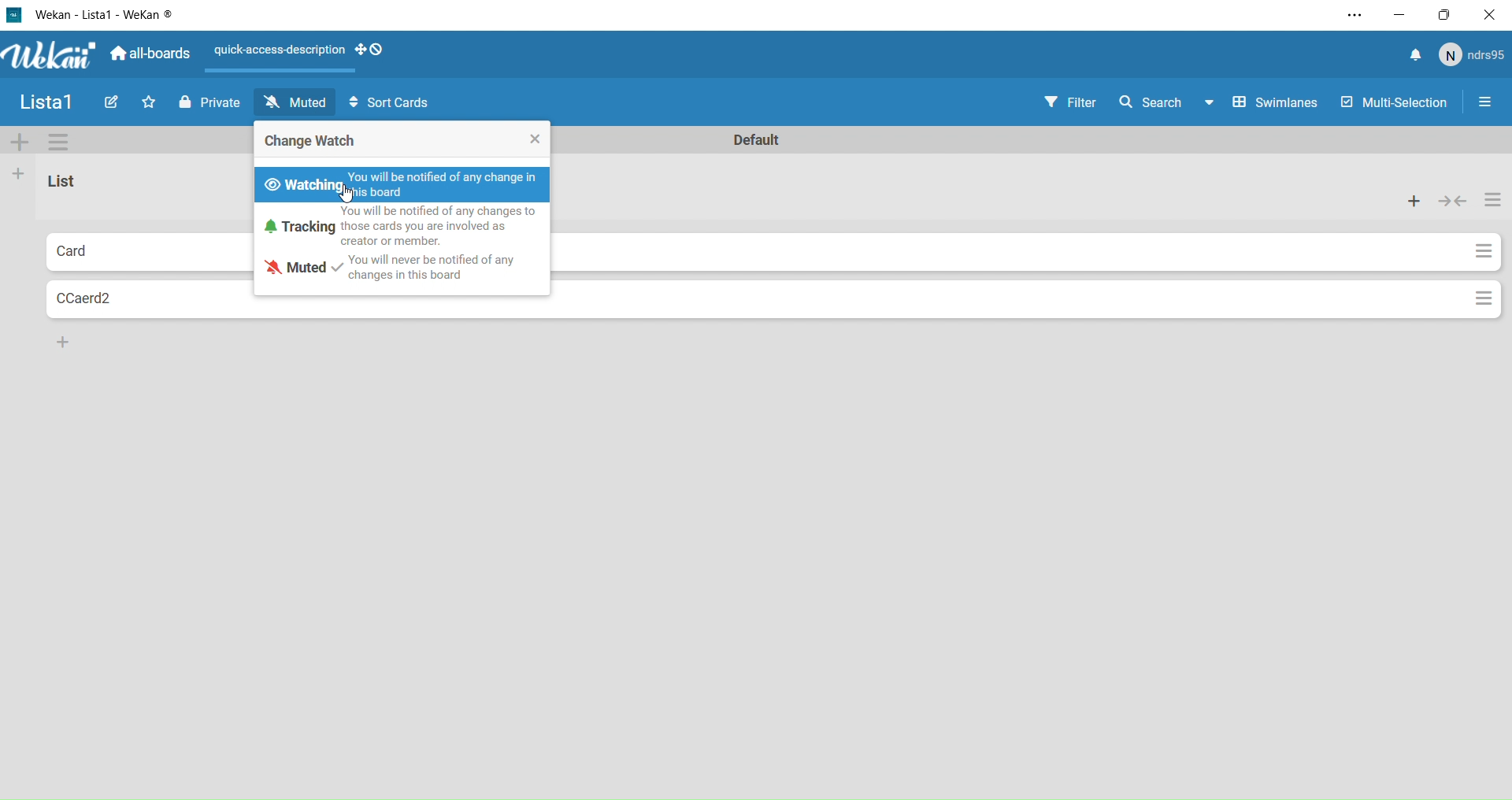 Image resolution: width=1512 pixels, height=800 pixels. I want to click on Search, so click(1161, 102).